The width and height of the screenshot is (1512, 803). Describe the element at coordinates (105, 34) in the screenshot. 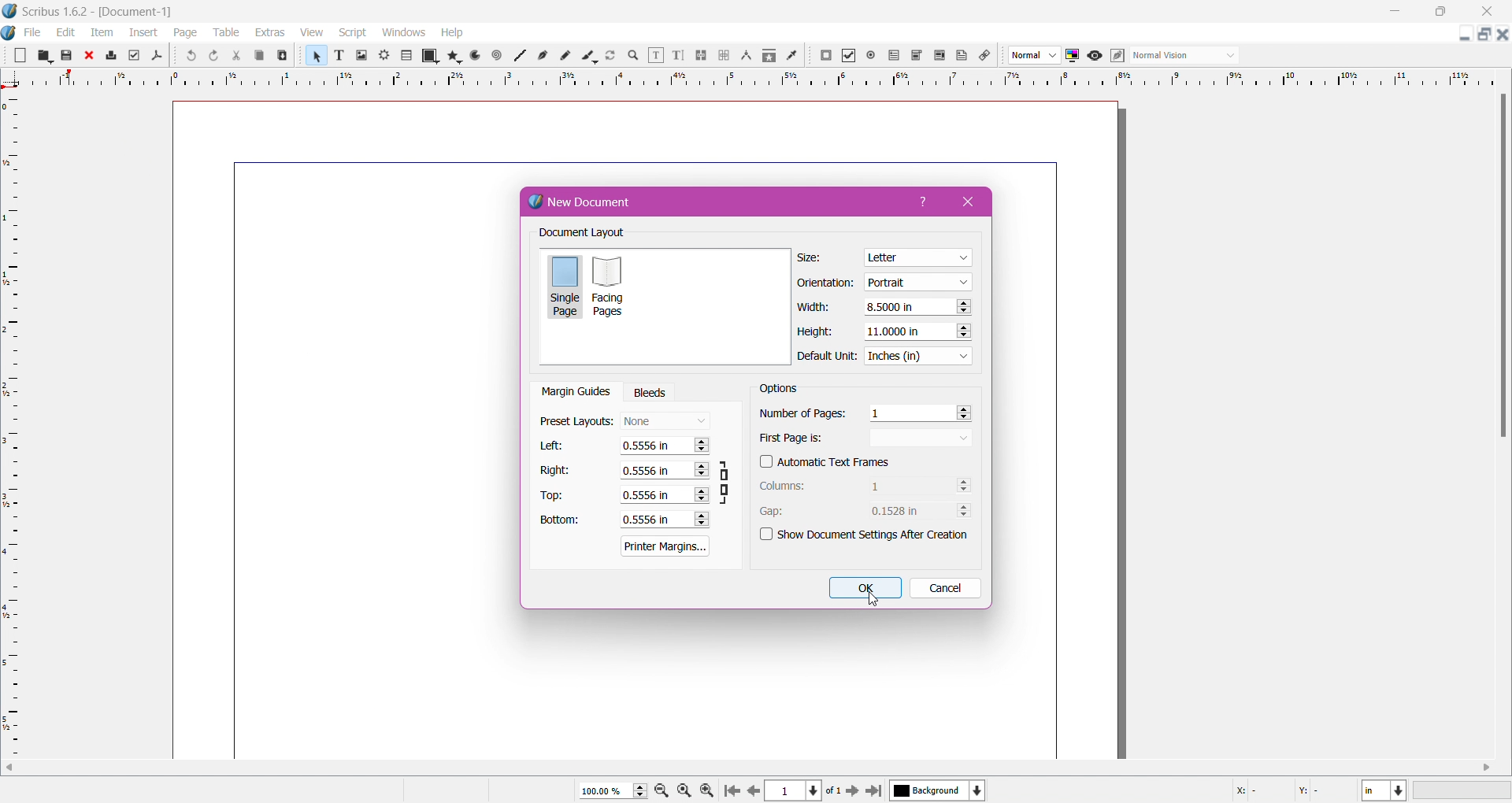

I see `Item` at that location.